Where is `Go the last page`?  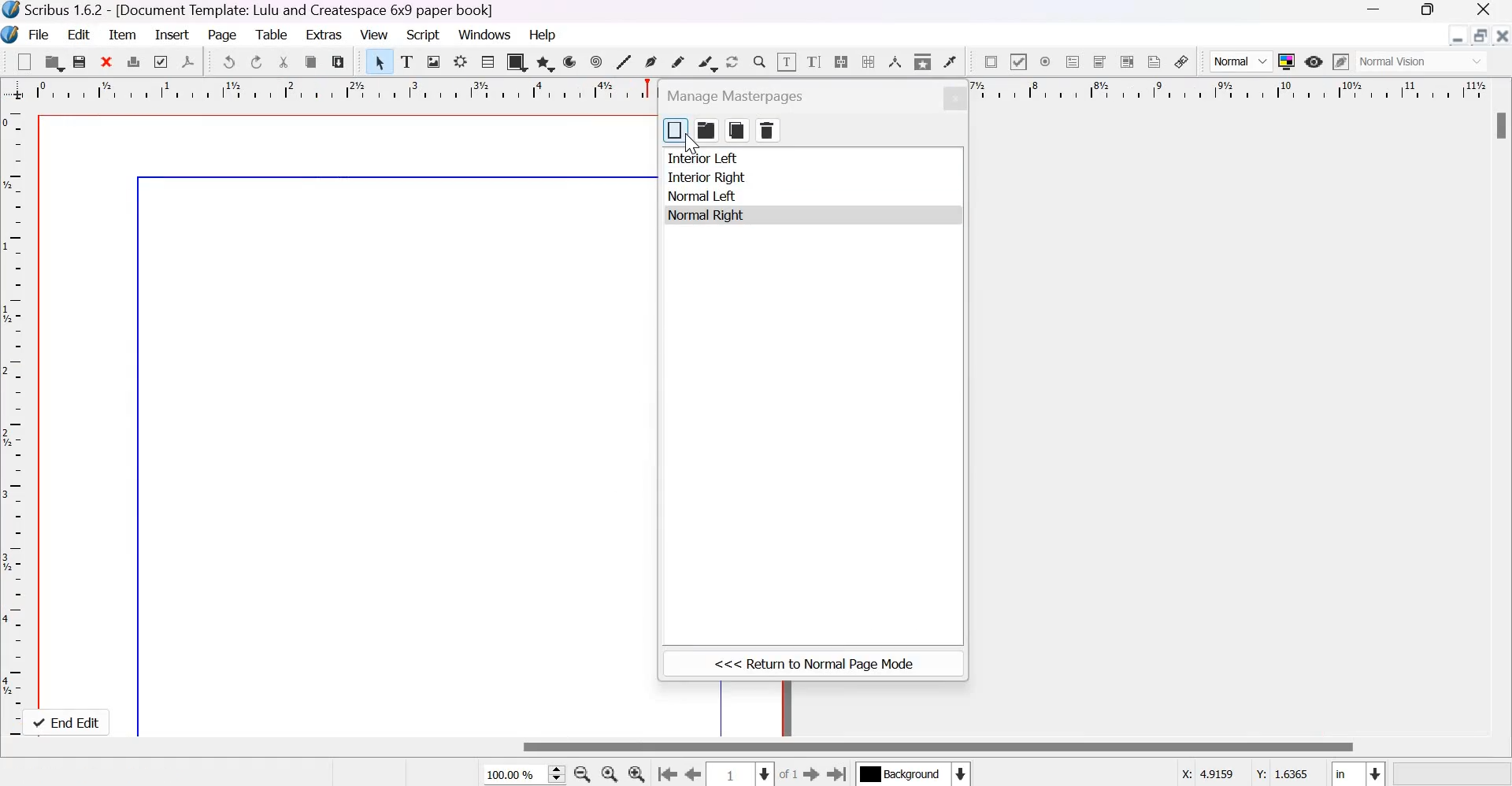
Go the last page is located at coordinates (839, 773).